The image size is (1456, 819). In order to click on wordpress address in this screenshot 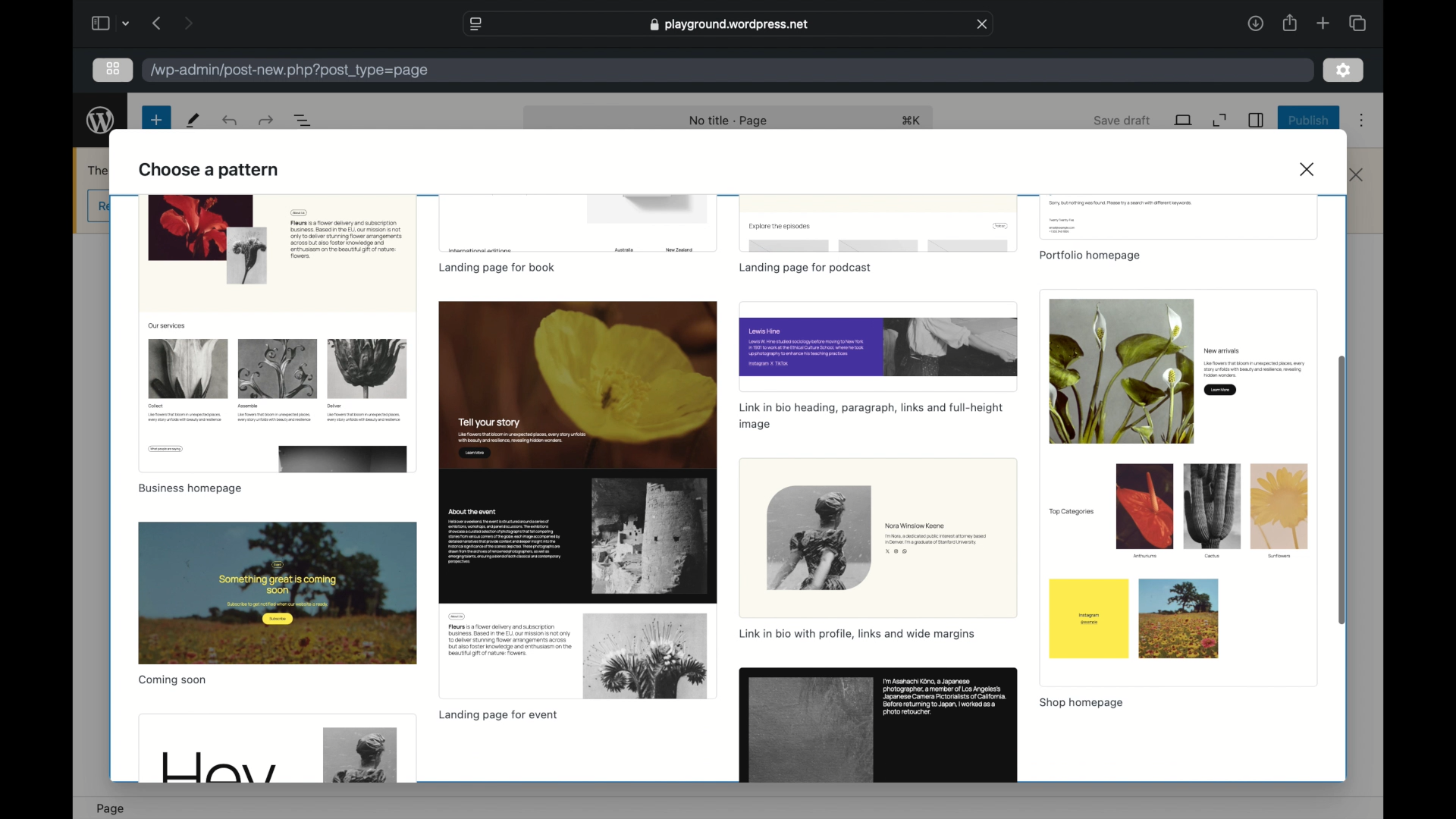, I will do `click(290, 71)`.